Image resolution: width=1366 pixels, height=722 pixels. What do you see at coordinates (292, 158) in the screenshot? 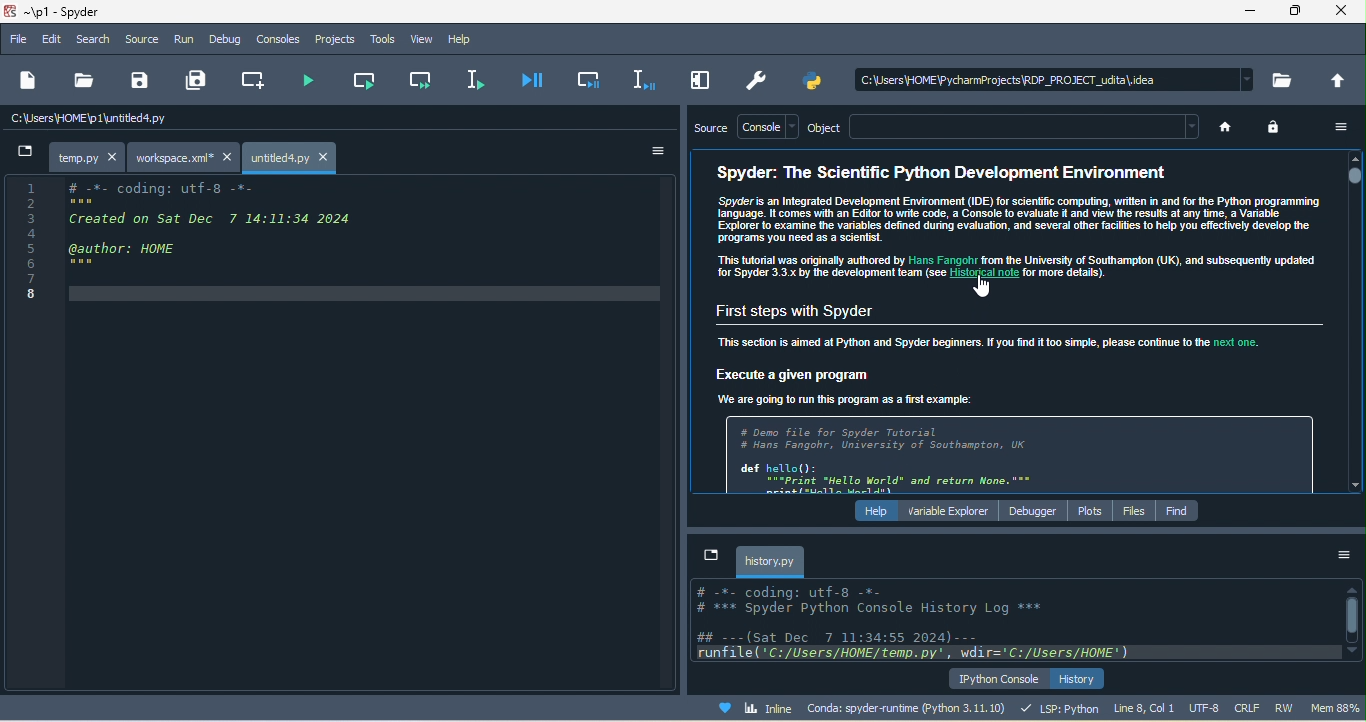
I see `untitled4` at bounding box center [292, 158].